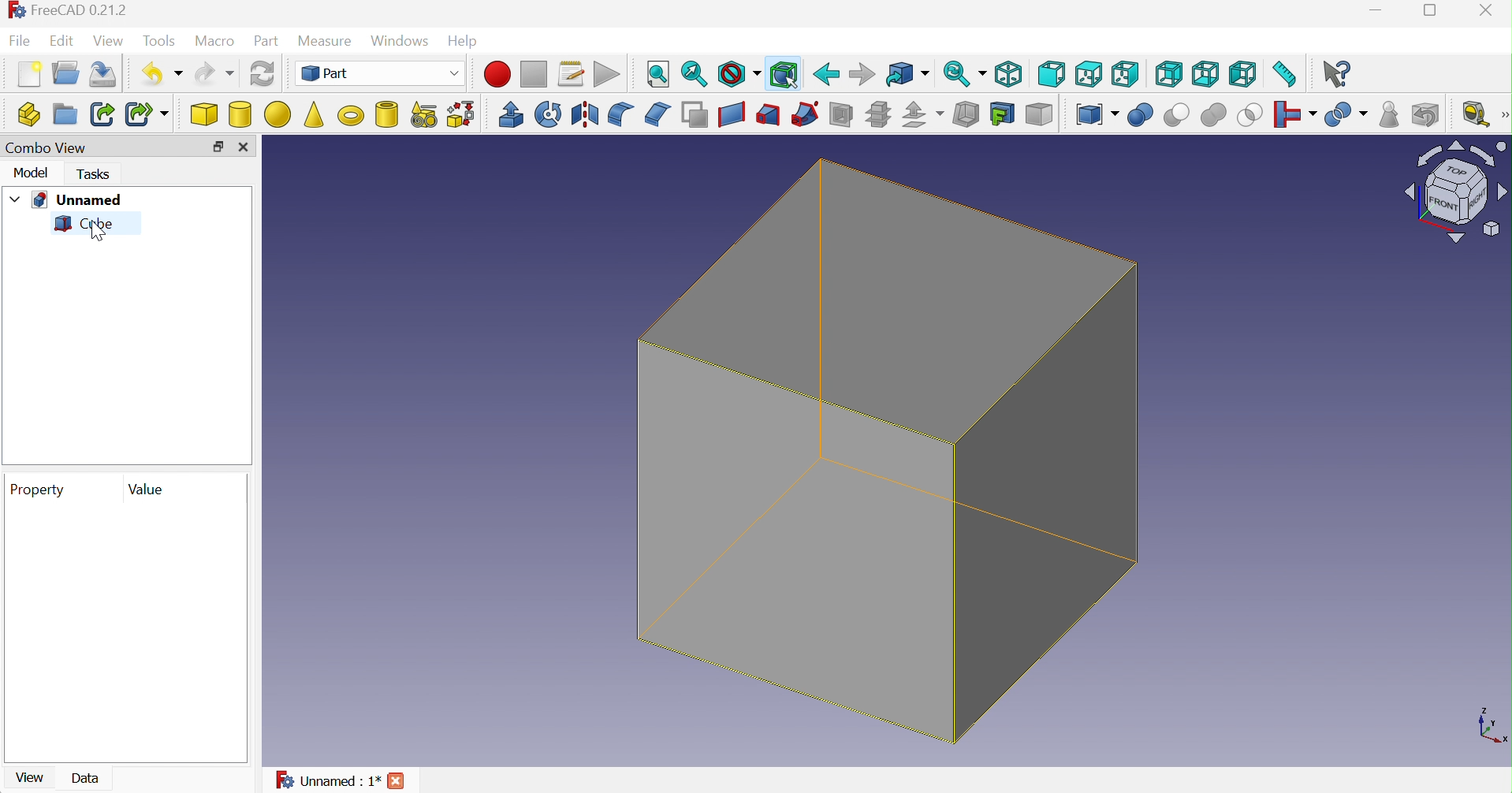 Image resolution: width=1512 pixels, height=793 pixels. What do you see at coordinates (1141, 116) in the screenshot?
I see `Union ` at bounding box center [1141, 116].